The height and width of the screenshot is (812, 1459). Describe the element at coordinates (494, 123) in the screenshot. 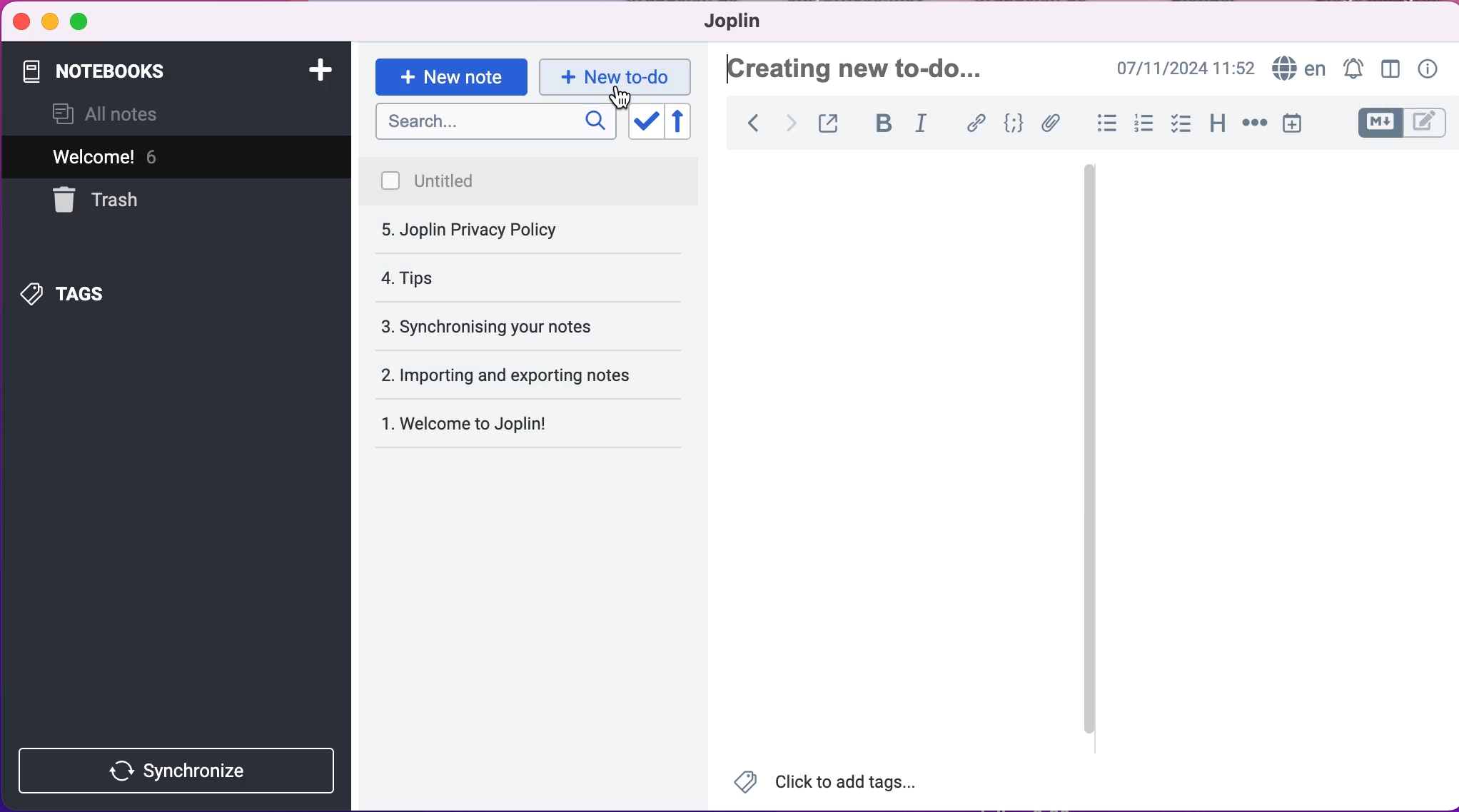

I see `search` at that location.